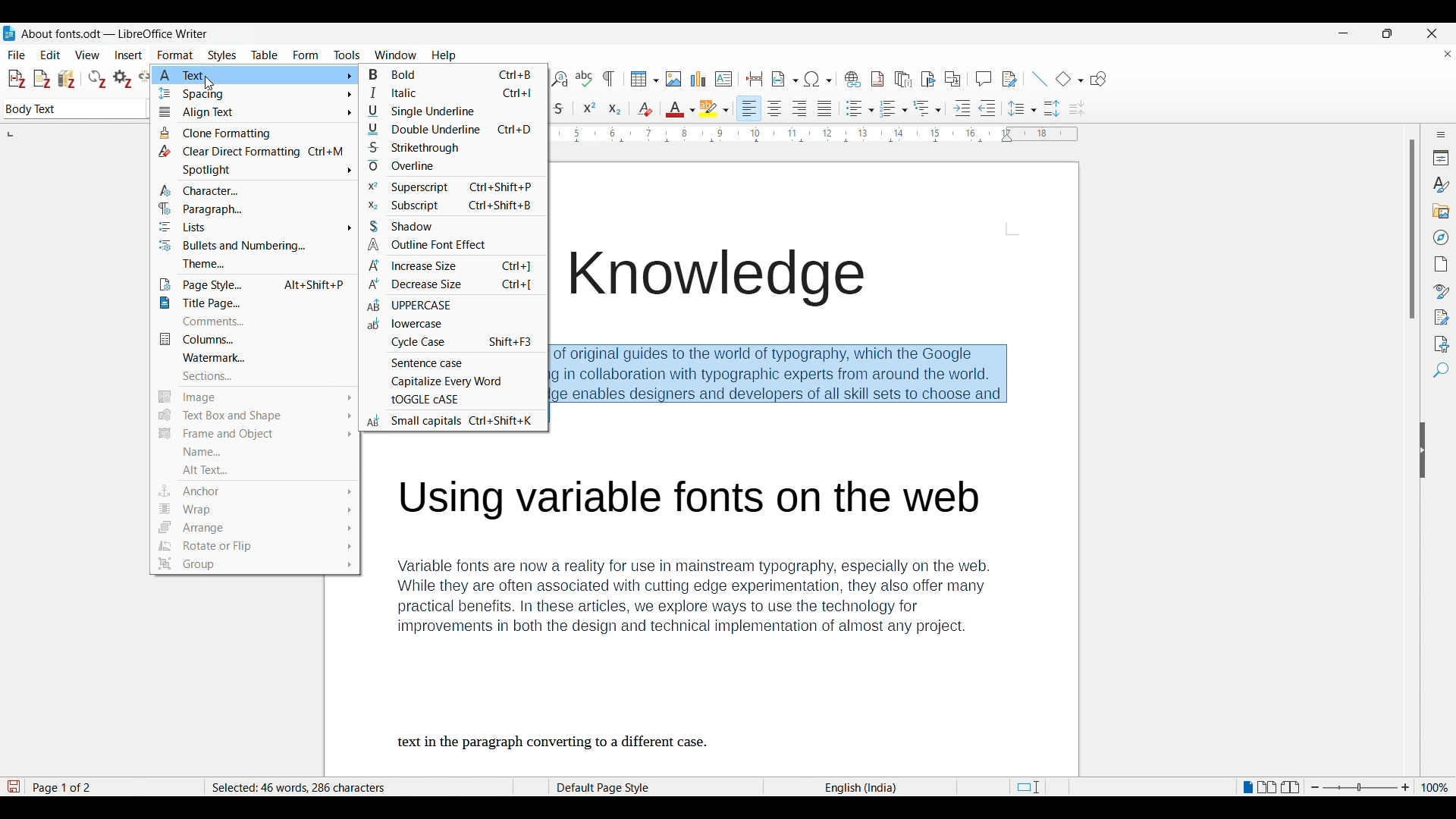  I want to click on Click to save new changes, so click(13, 786).